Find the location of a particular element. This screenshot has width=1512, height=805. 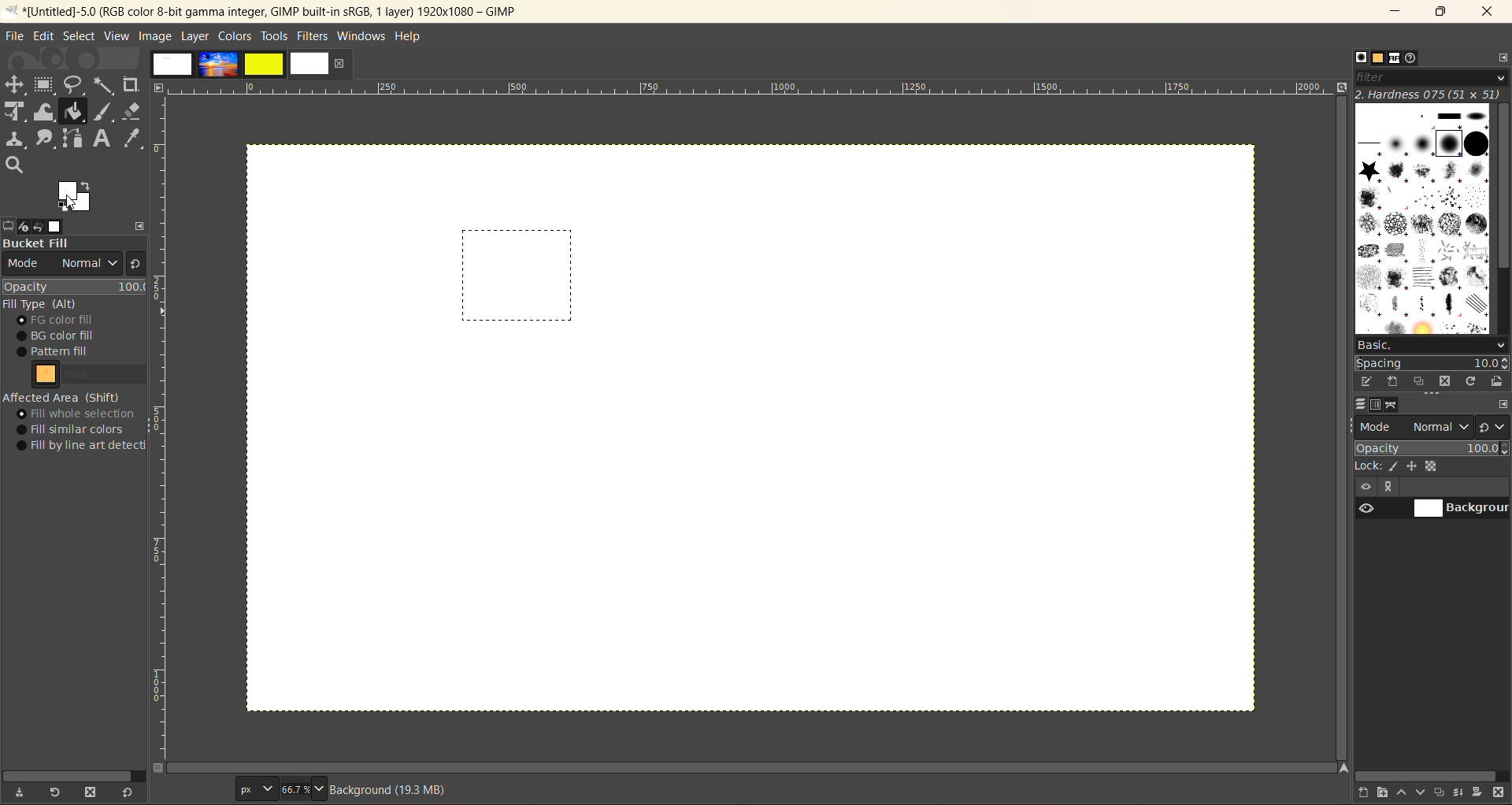

filter is located at coordinates (1432, 79).